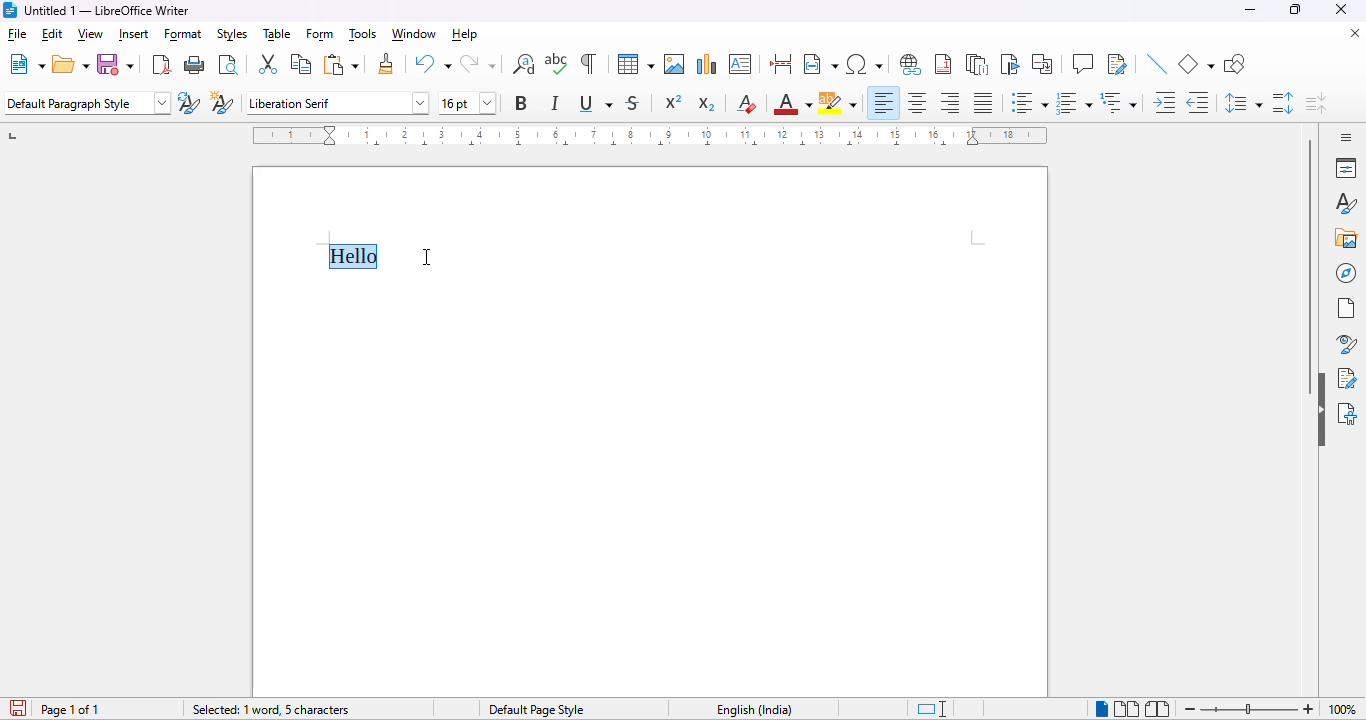  What do you see at coordinates (912, 65) in the screenshot?
I see `insert hyperlink` at bounding box center [912, 65].